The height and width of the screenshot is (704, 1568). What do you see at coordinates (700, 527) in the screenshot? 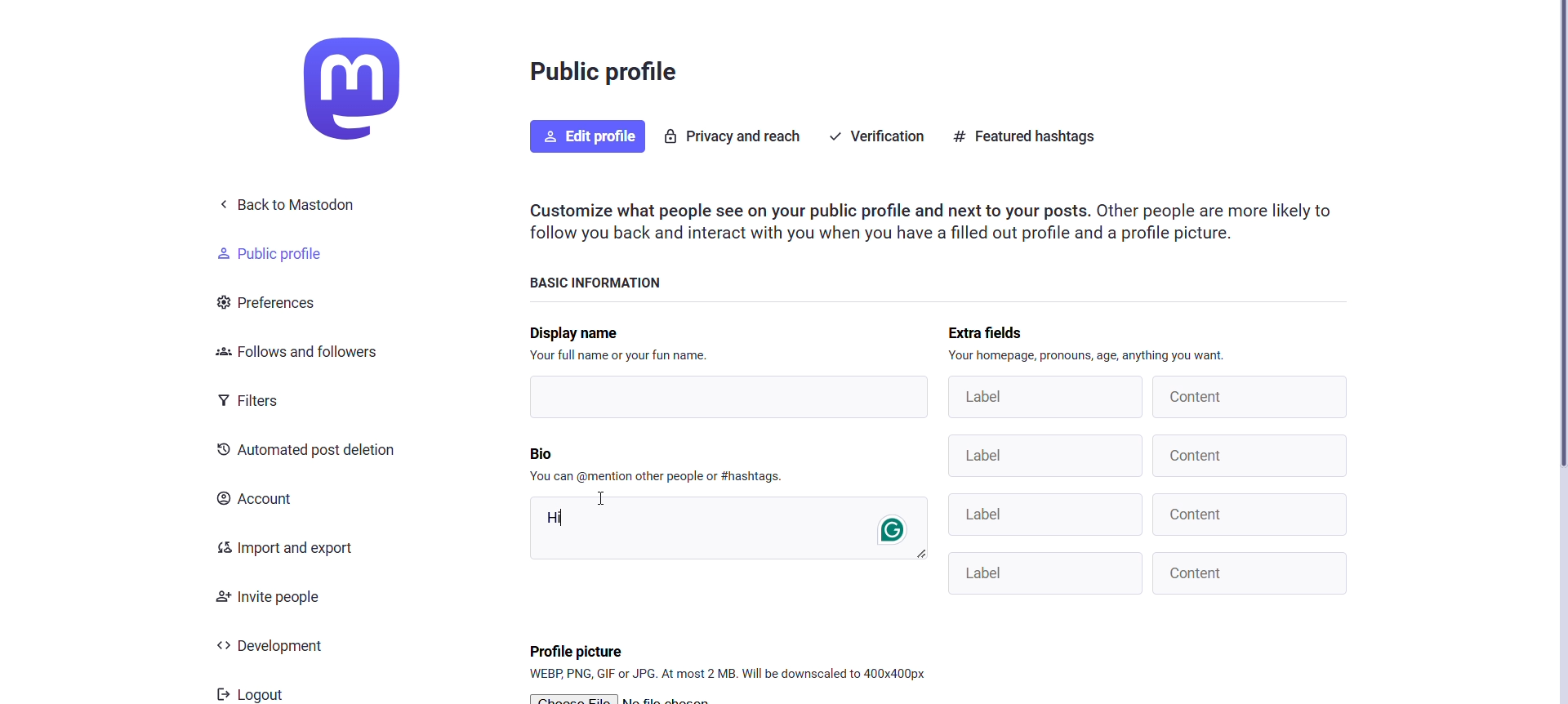
I see `Hi` at bounding box center [700, 527].